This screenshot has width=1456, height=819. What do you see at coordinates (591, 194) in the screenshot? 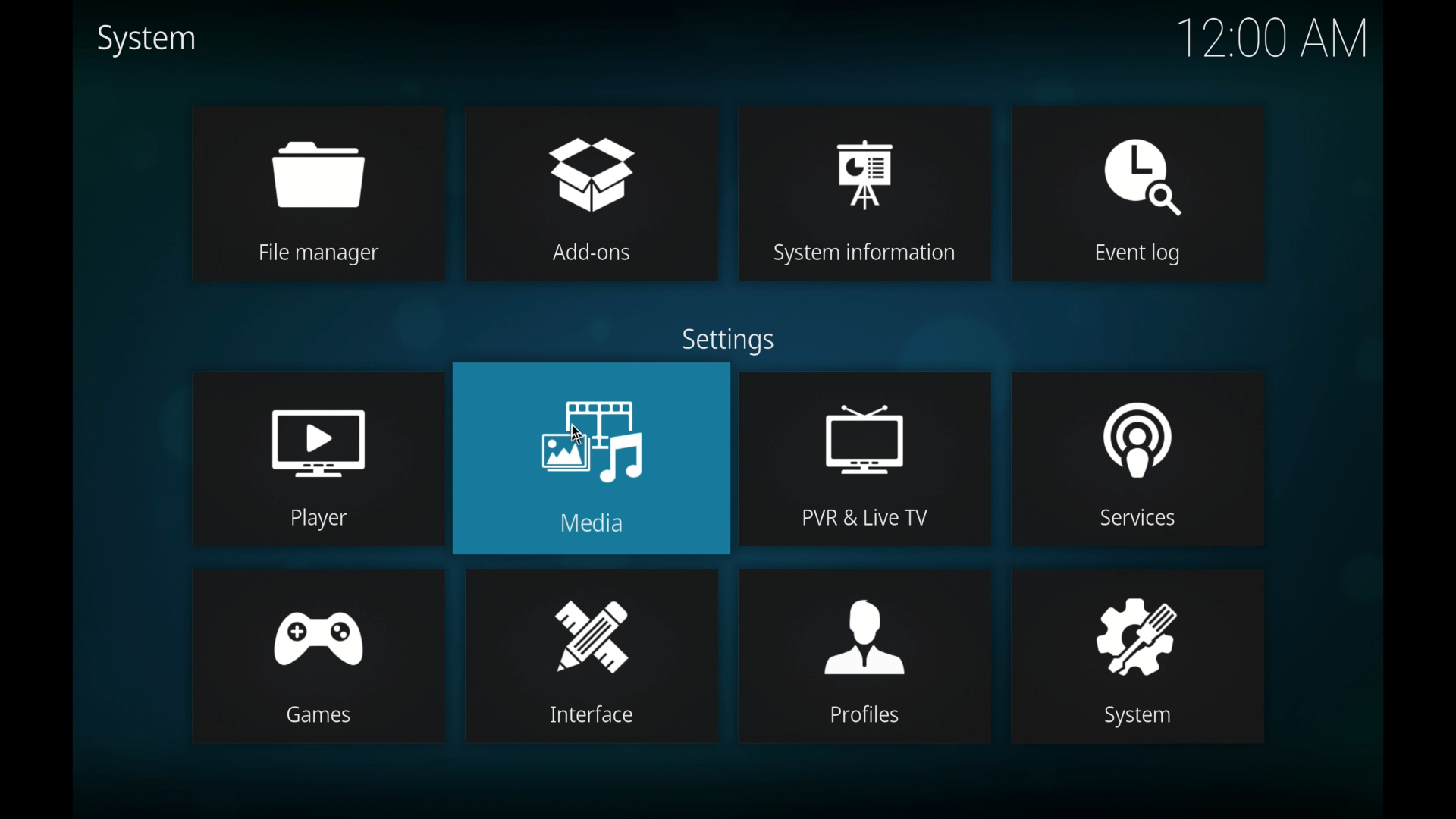
I see `add-ons` at bounding box center [591, 194].